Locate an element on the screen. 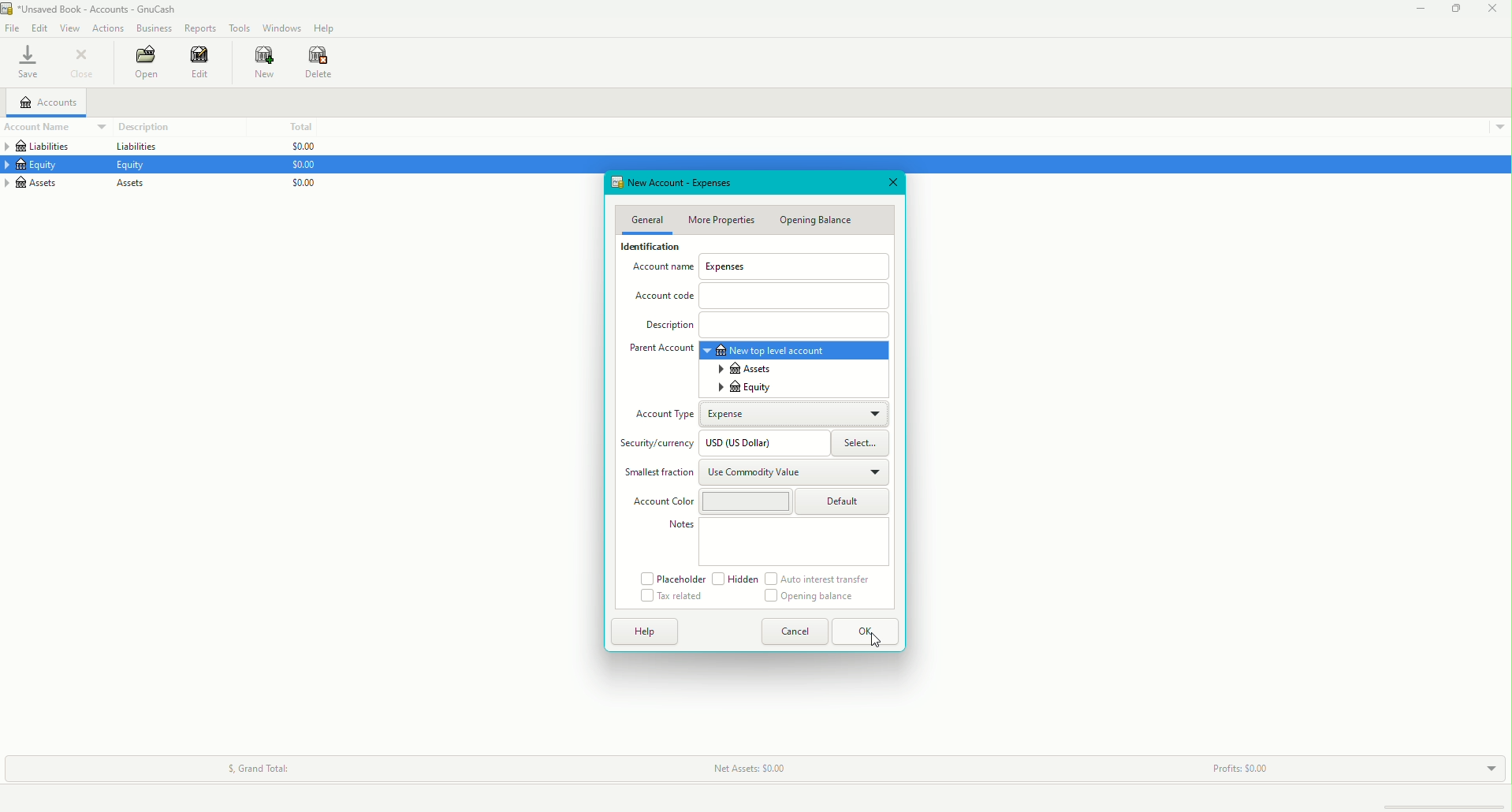 The width and height of the screenshot is (1512, 812). New is located at coordinates (261, 63).